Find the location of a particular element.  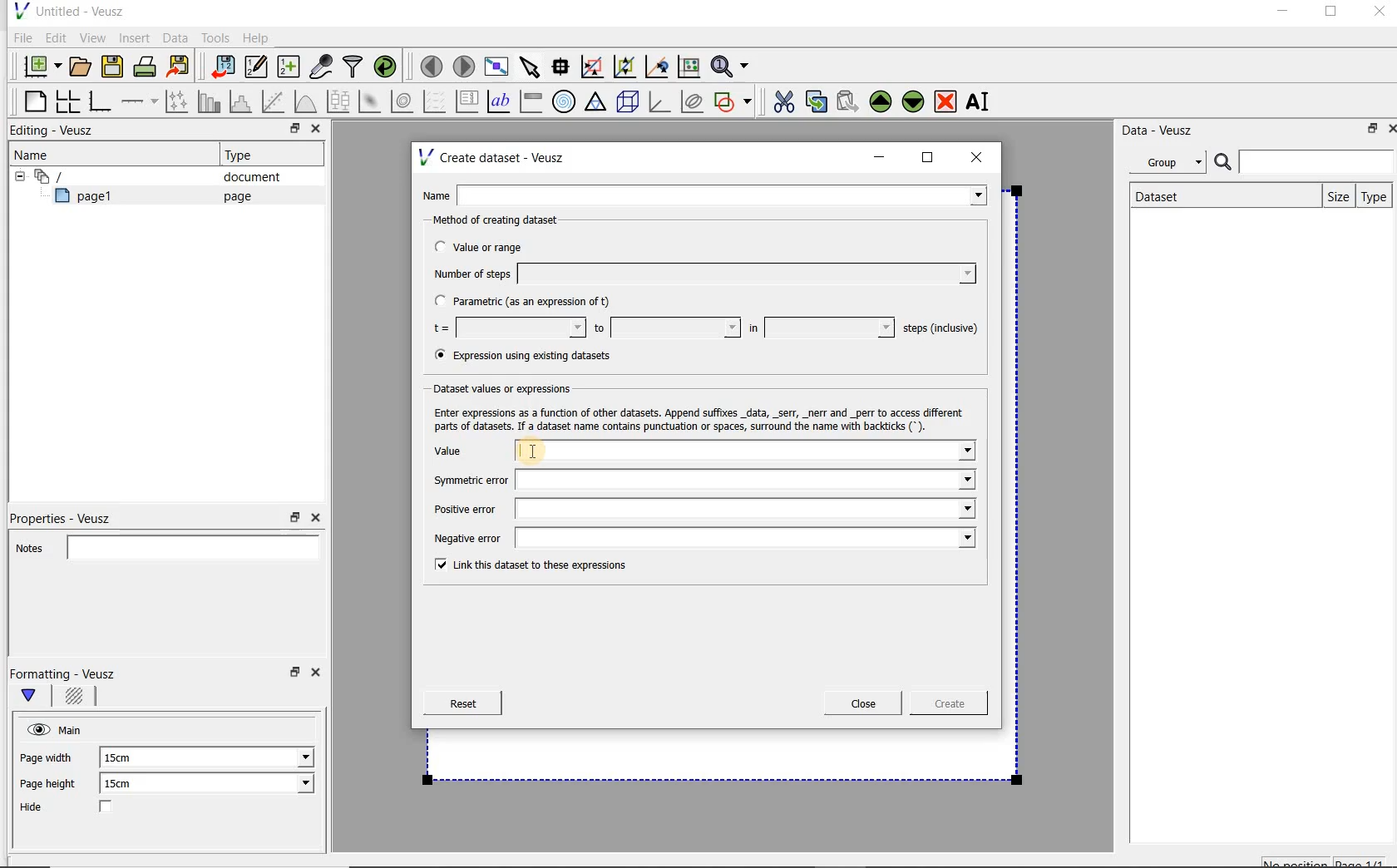

Dataset values or expressions is located at coordinates (511, 388).